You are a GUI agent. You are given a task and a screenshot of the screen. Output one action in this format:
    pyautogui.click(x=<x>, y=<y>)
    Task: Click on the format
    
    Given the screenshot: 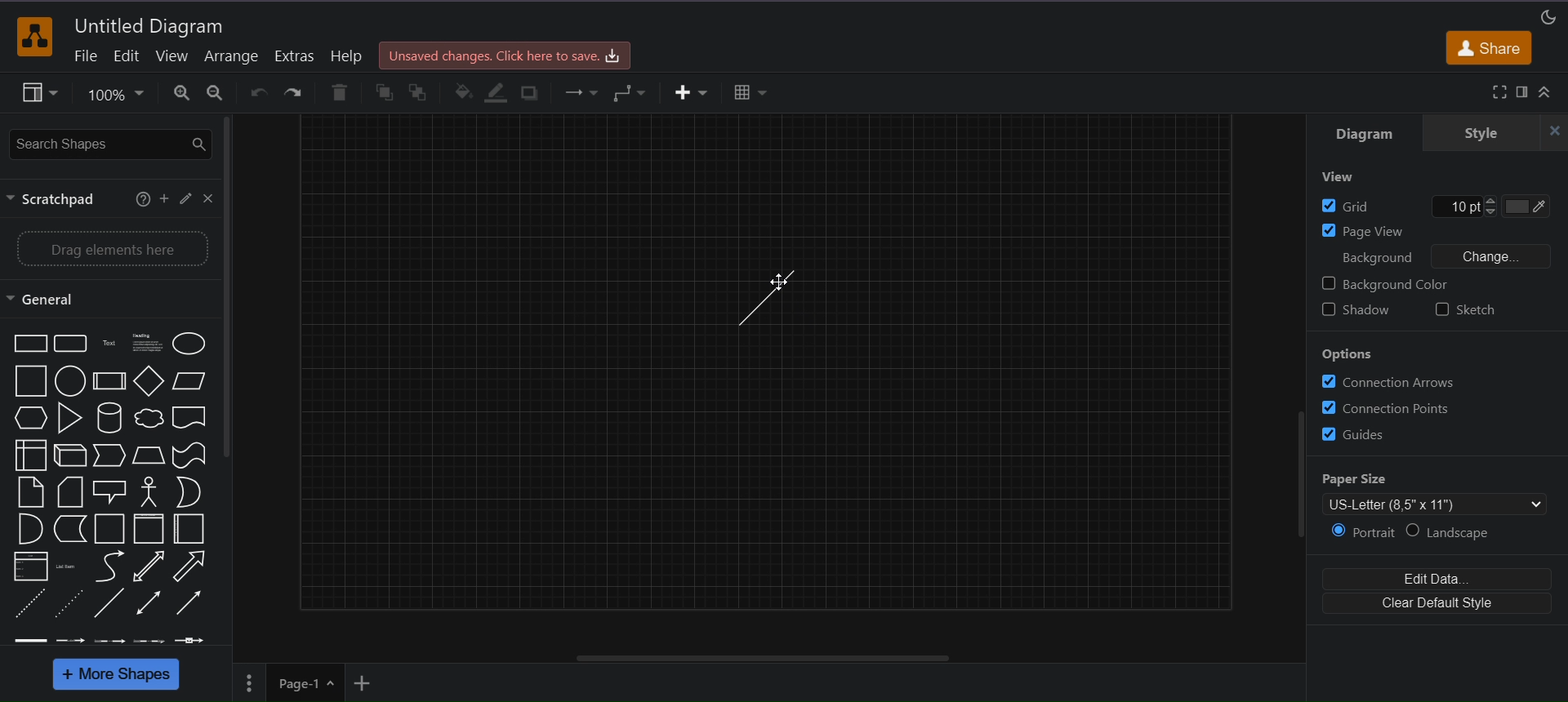 What is the action you would take?
    pyautogui.click(x=1525, y=91)
    